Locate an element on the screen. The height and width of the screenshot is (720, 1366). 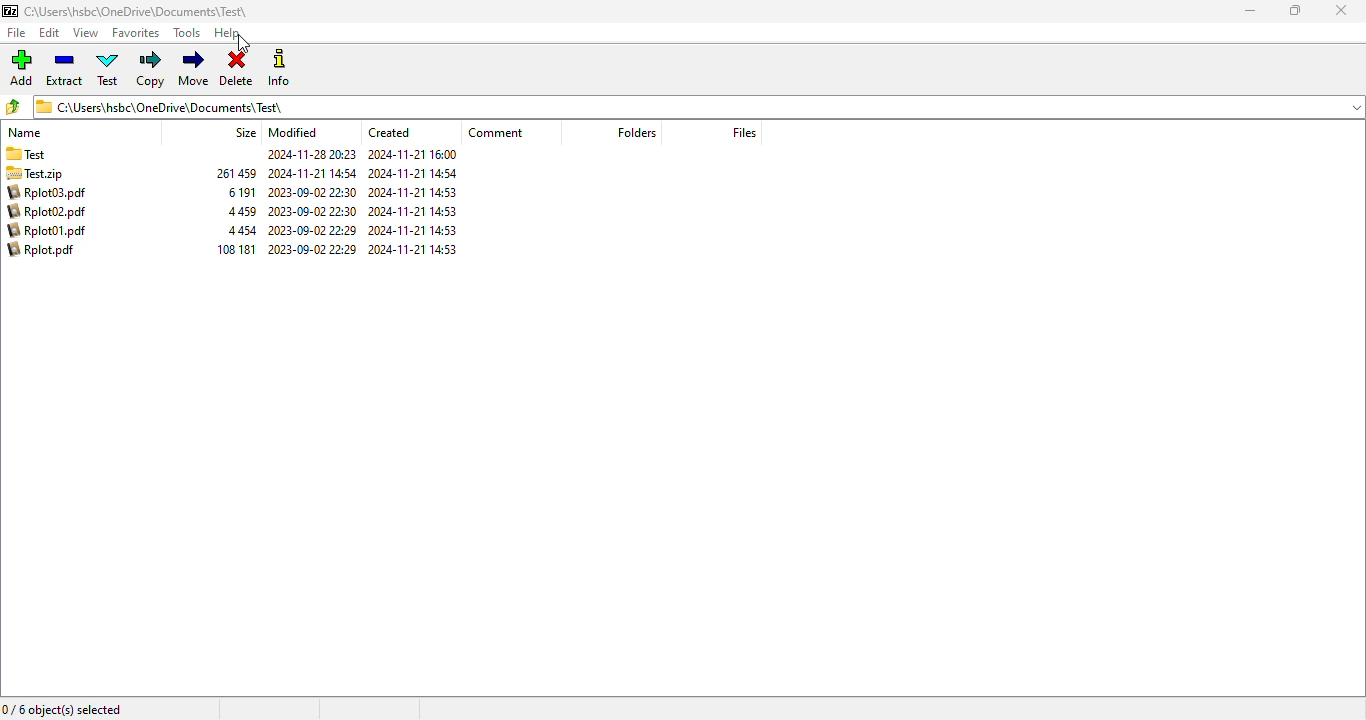
browse folders is located at coordinates (13, 106).